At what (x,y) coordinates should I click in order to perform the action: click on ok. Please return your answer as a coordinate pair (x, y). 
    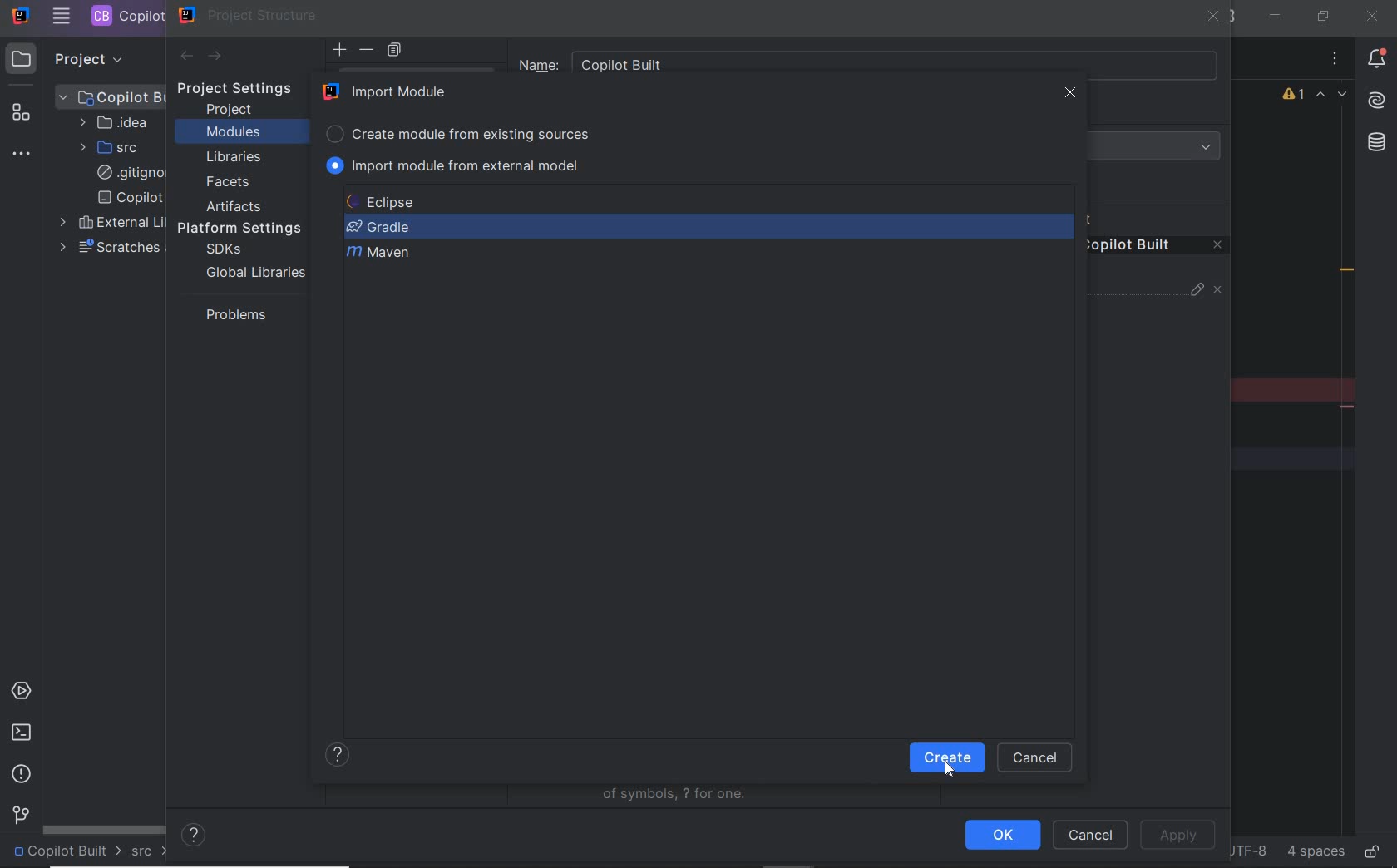
    Looking at the image, I should click on (1002, 835).